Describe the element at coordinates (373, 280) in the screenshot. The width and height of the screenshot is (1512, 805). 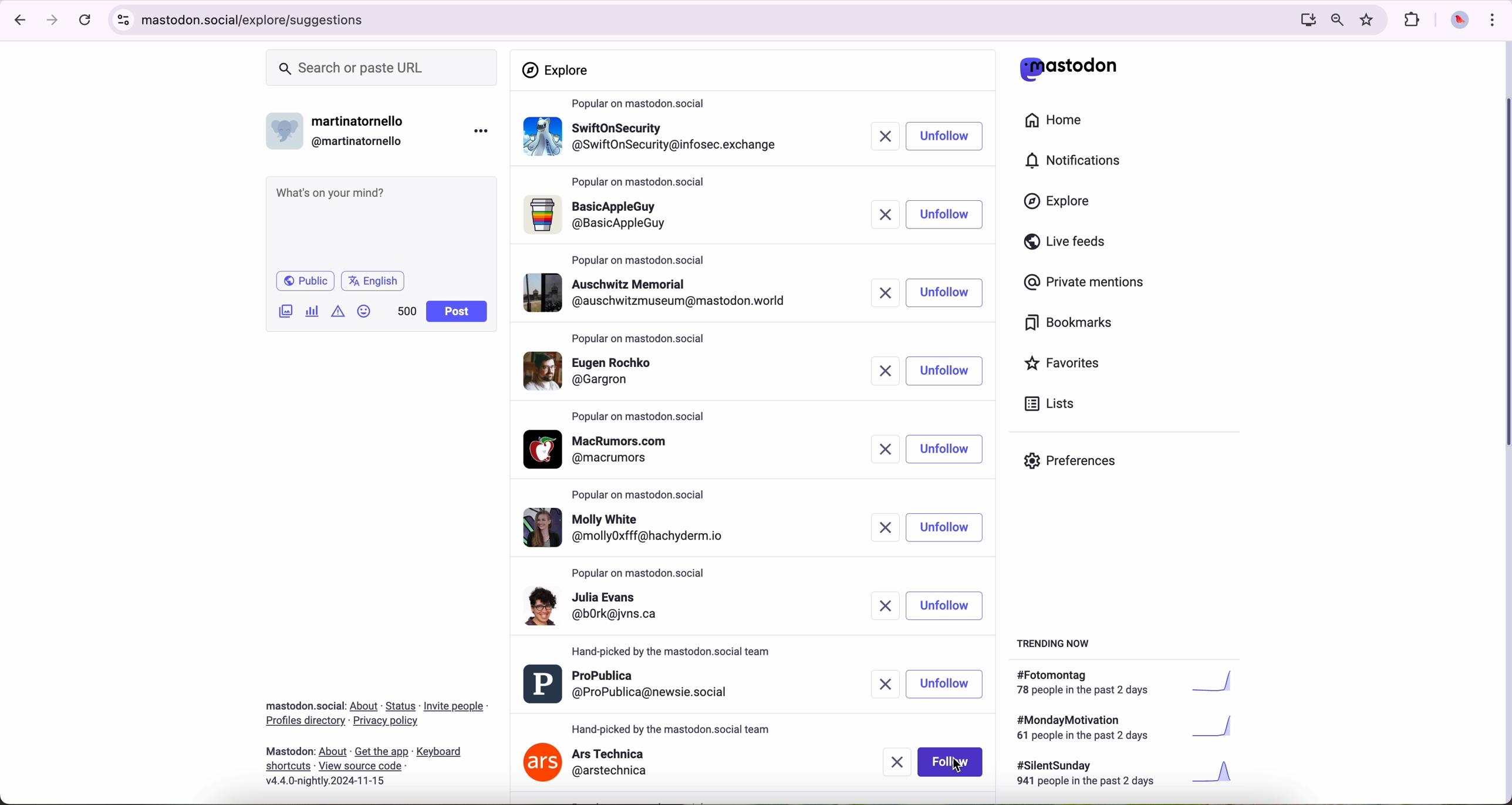
I see `language` at that location.